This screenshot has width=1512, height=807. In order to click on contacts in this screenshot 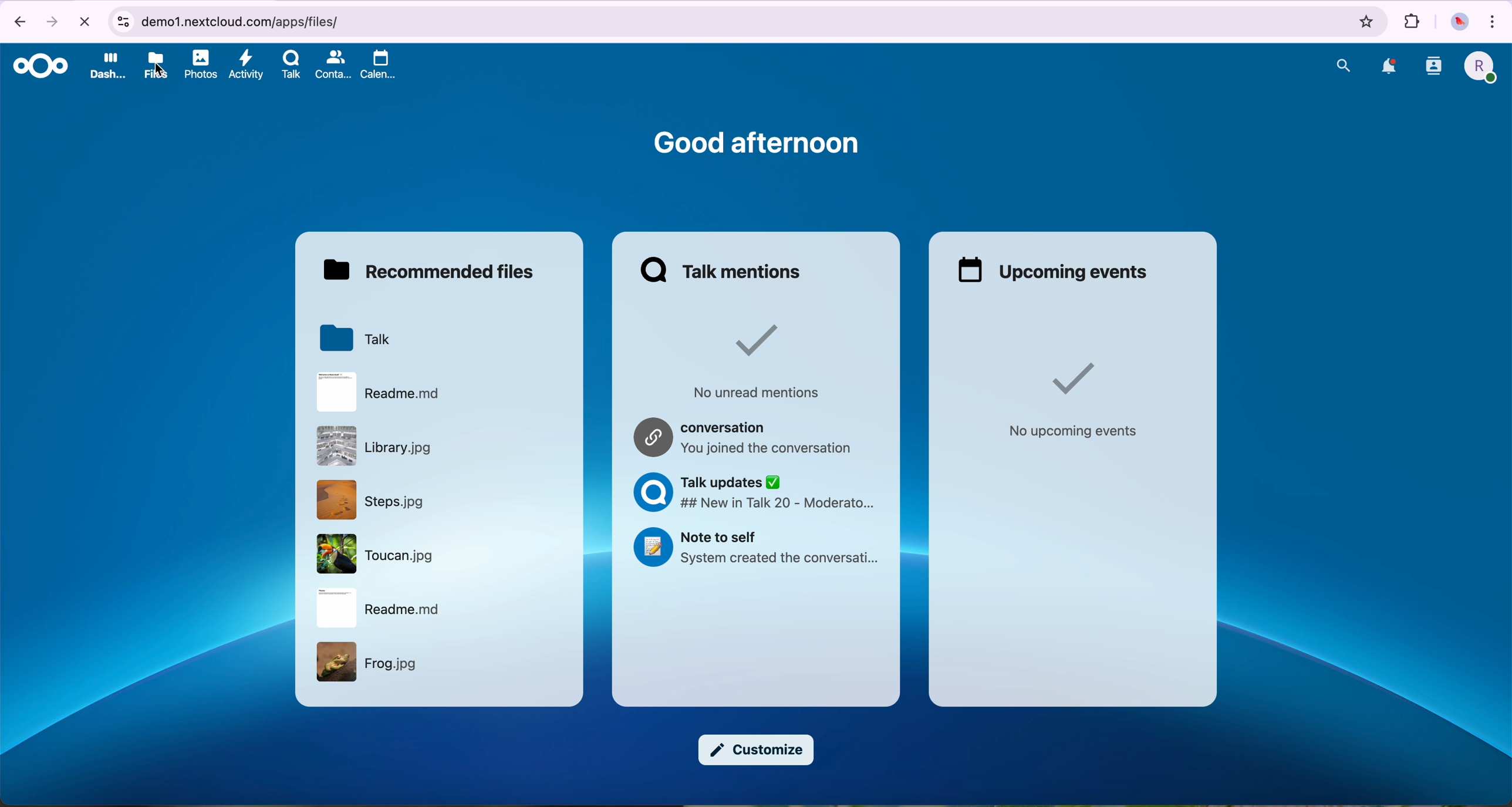, I will do `click(333, 66)`.